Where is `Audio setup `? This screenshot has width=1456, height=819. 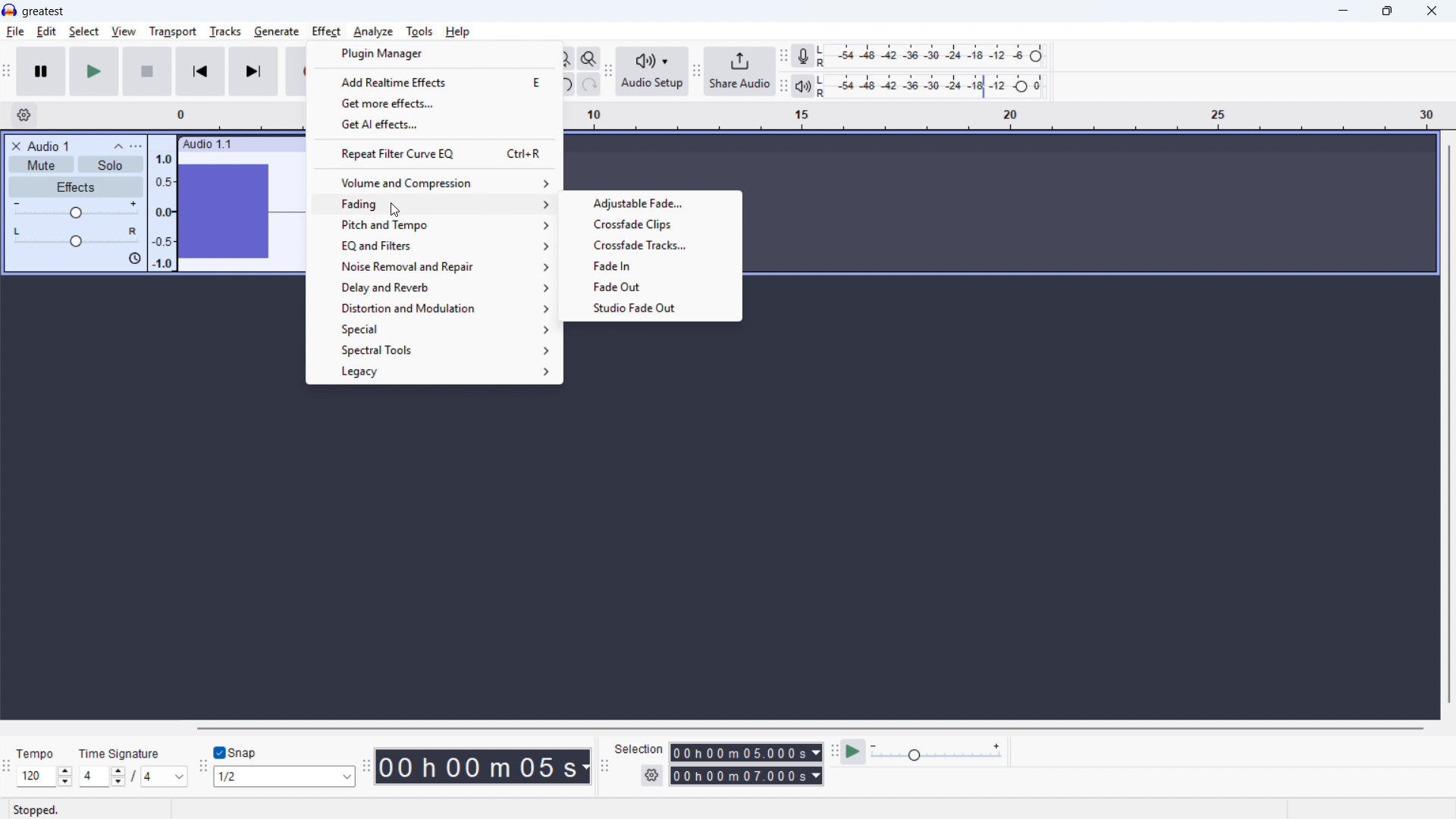 Audio setup  is located at coordinates (653, 72).